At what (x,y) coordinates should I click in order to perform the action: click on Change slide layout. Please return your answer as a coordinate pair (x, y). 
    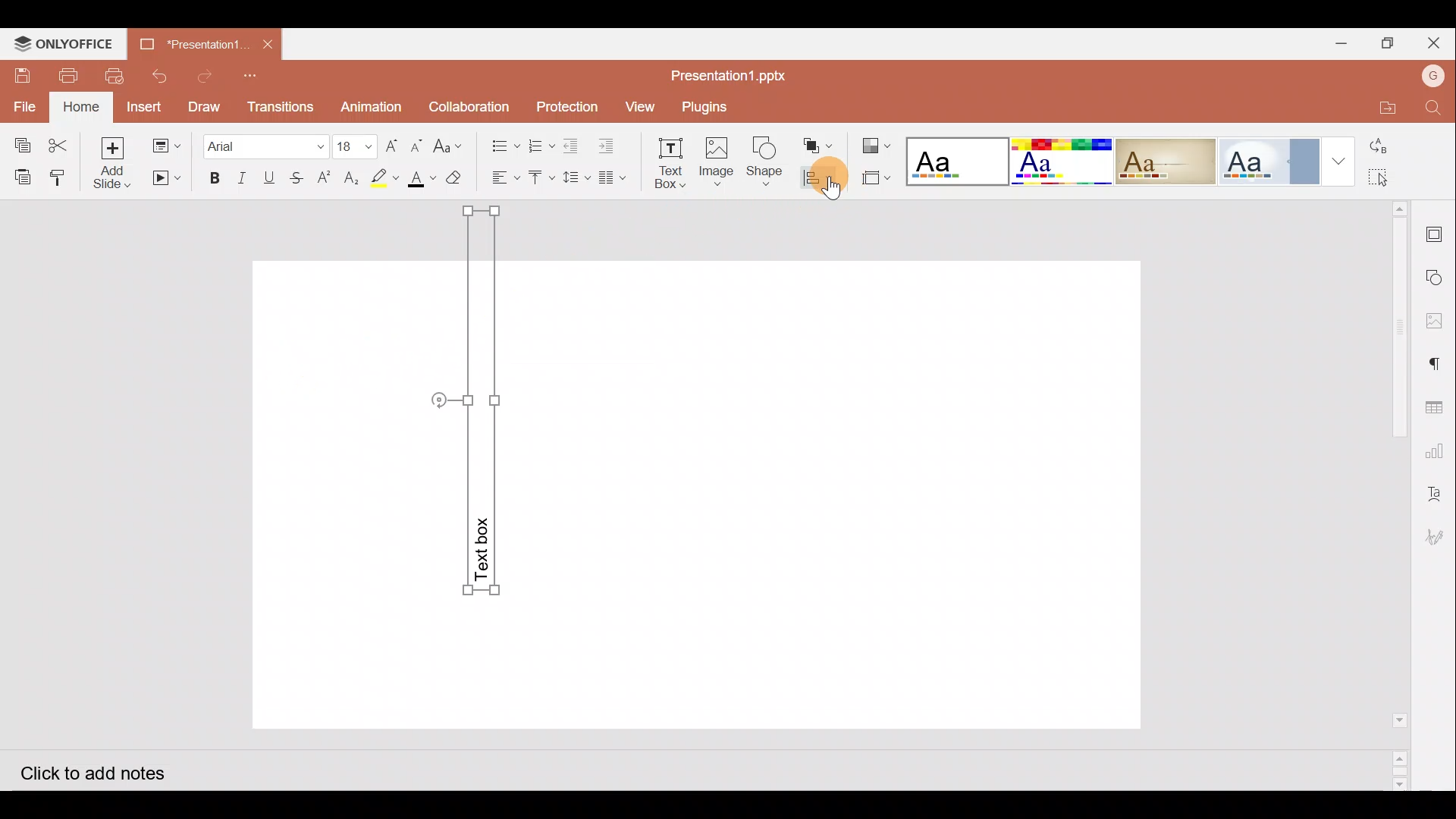
    Looking at the image, I should click on (168, 143).